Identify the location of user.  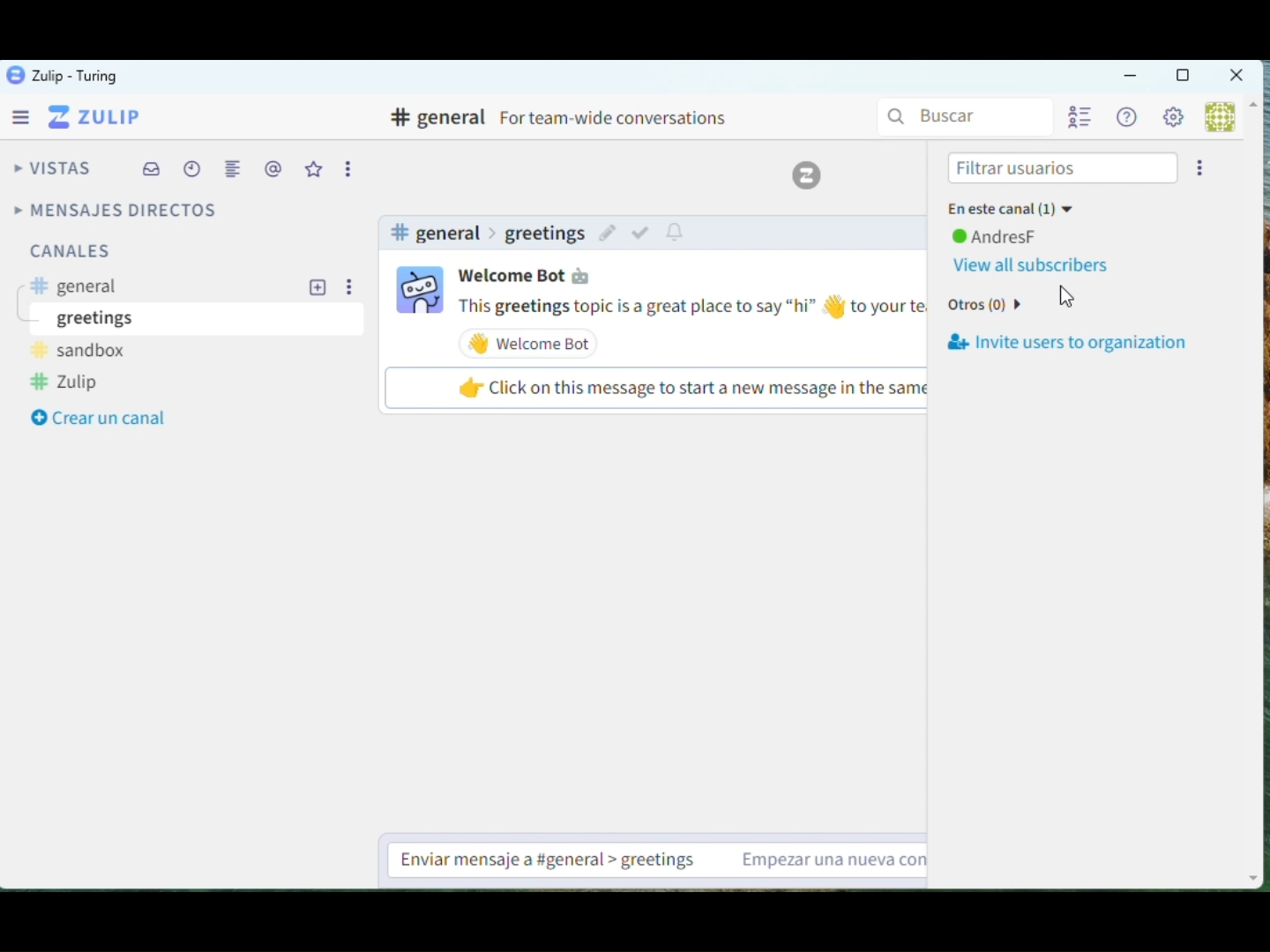
(1009, 237).